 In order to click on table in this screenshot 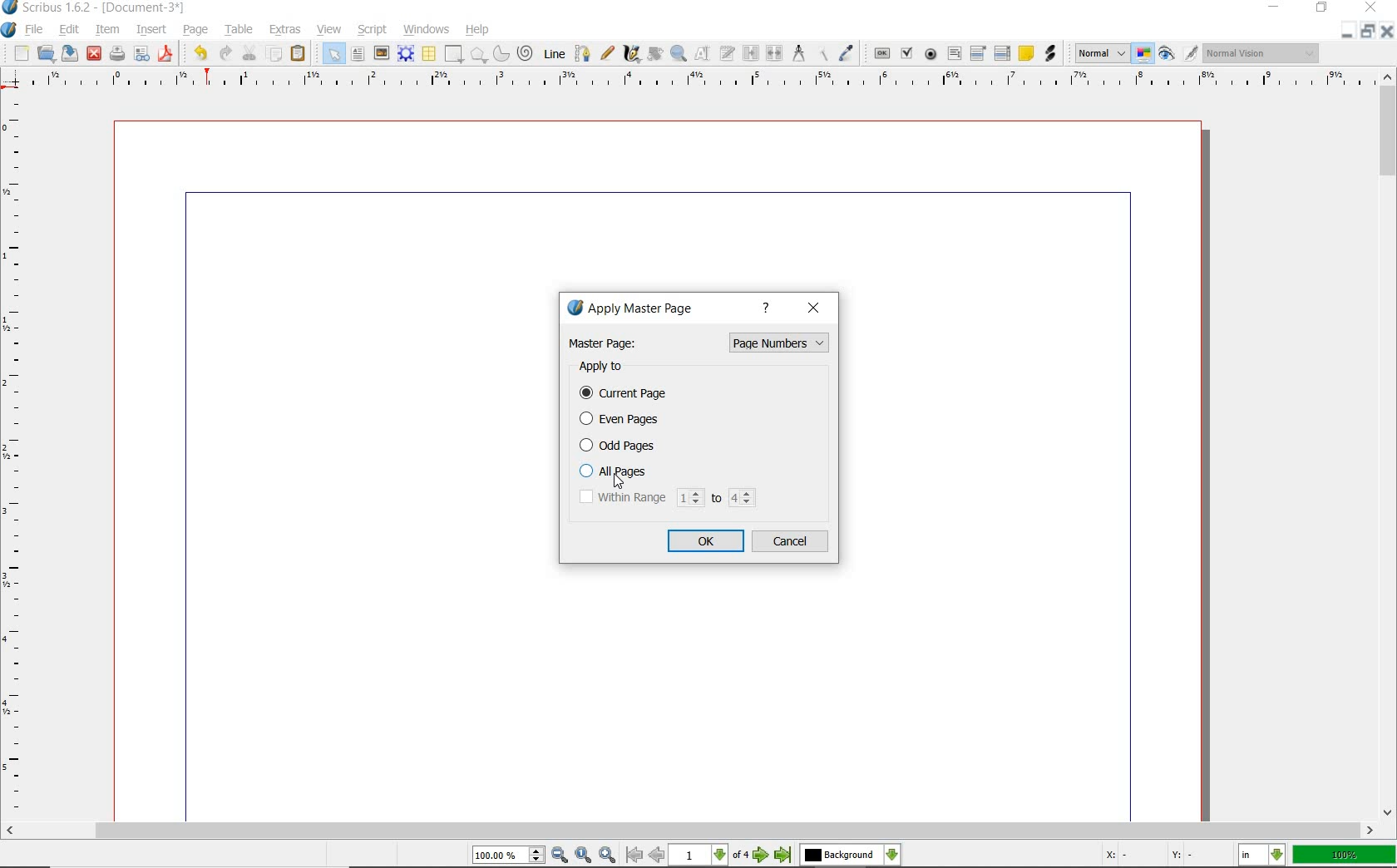, I will do `click(428, 53)`.